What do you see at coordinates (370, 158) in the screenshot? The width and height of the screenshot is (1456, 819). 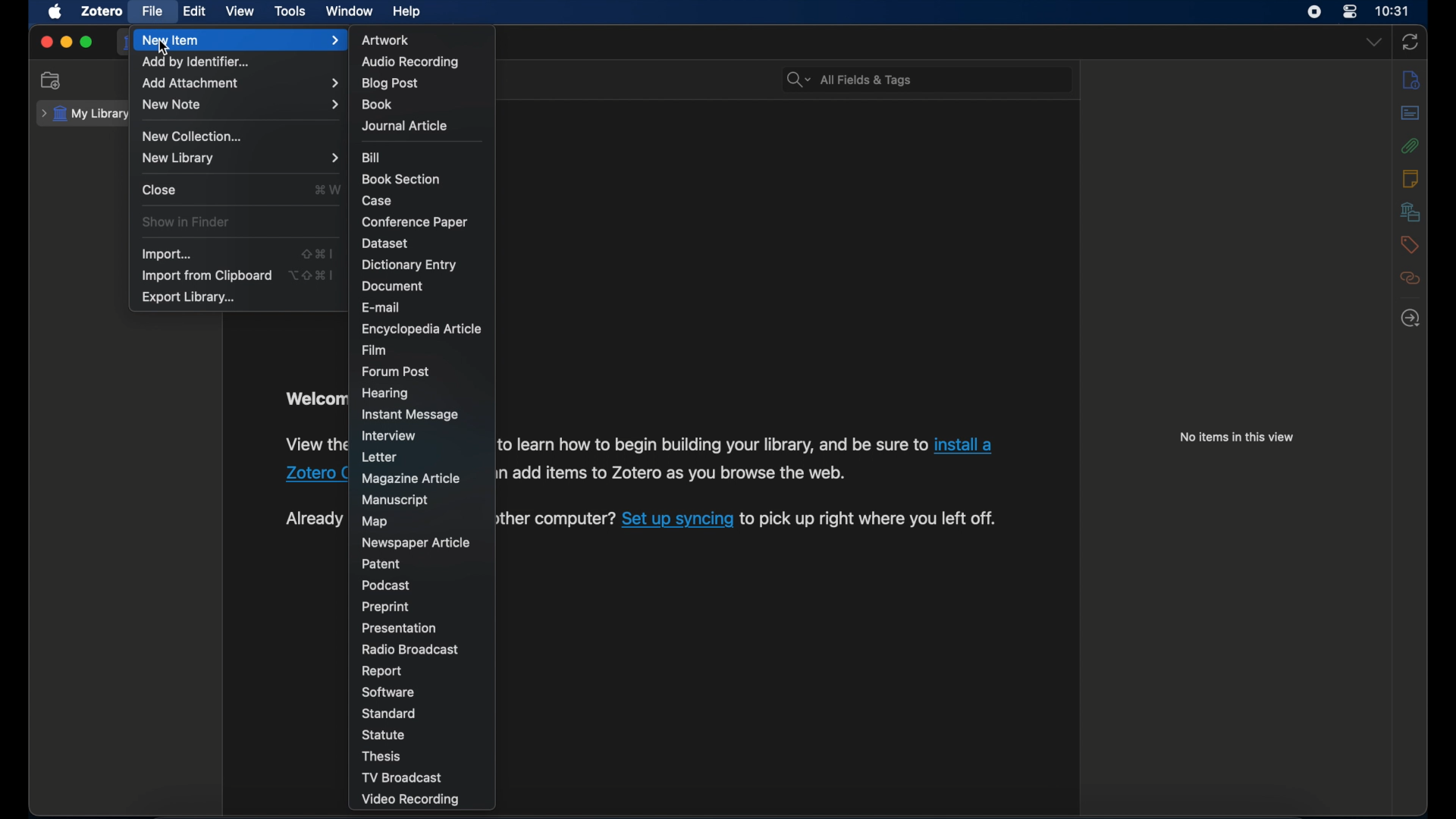 I see `bill` at bounding box center [370, 158].